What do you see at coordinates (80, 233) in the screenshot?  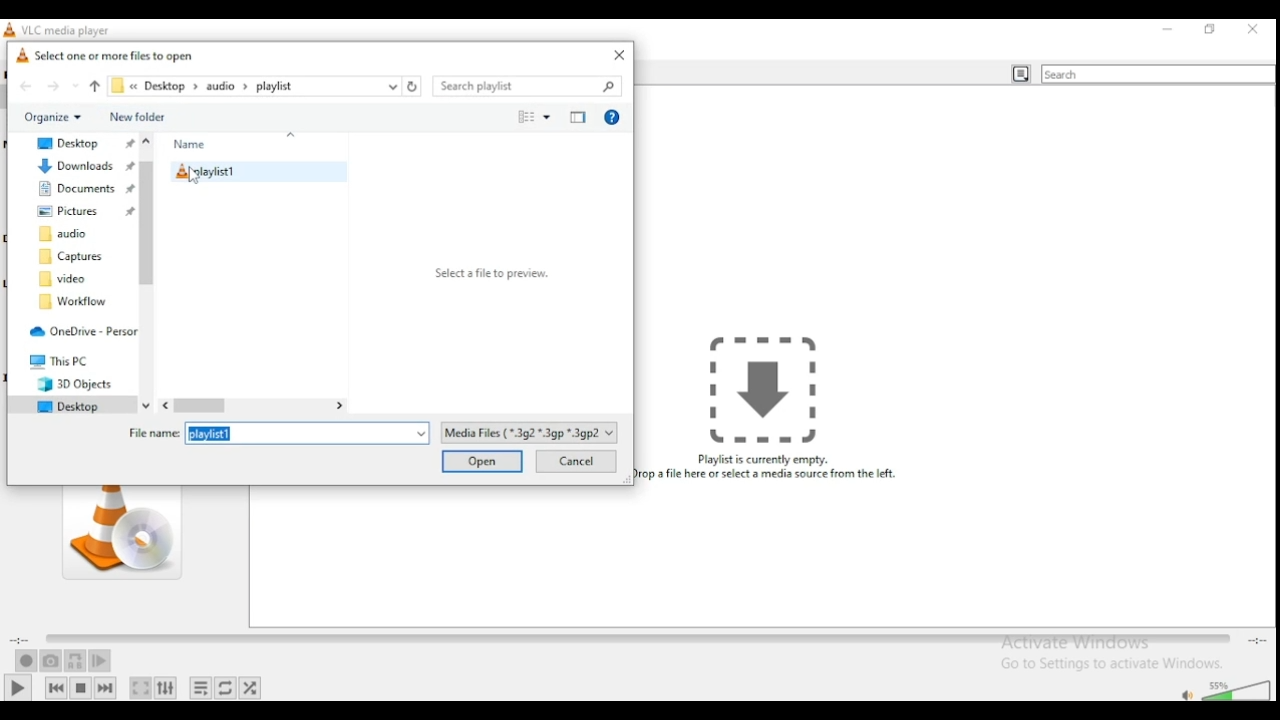 I see `audio` at bounding box center [80, 233].